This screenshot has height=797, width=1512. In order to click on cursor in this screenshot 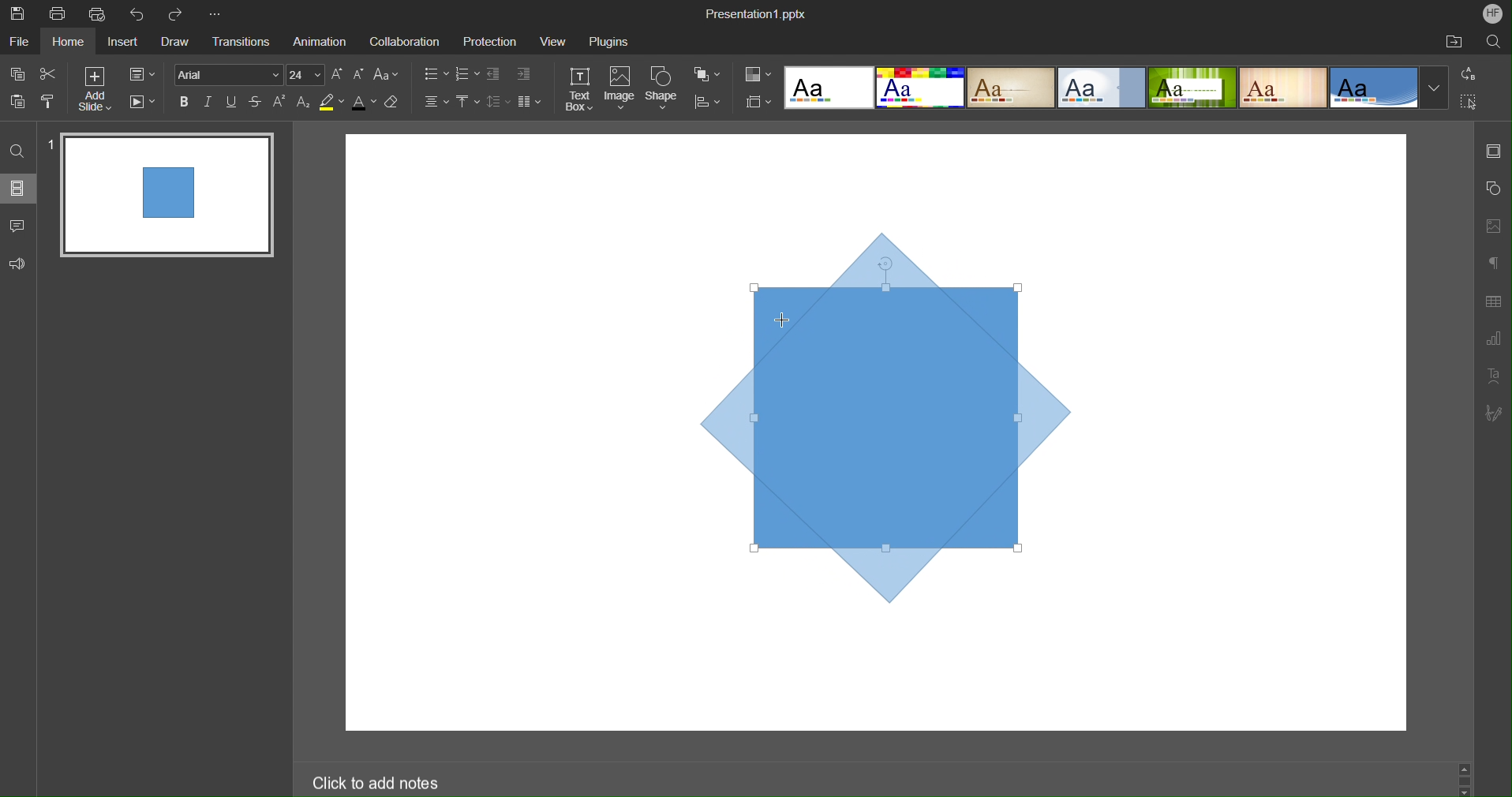, I will do `click(787, 320)`.